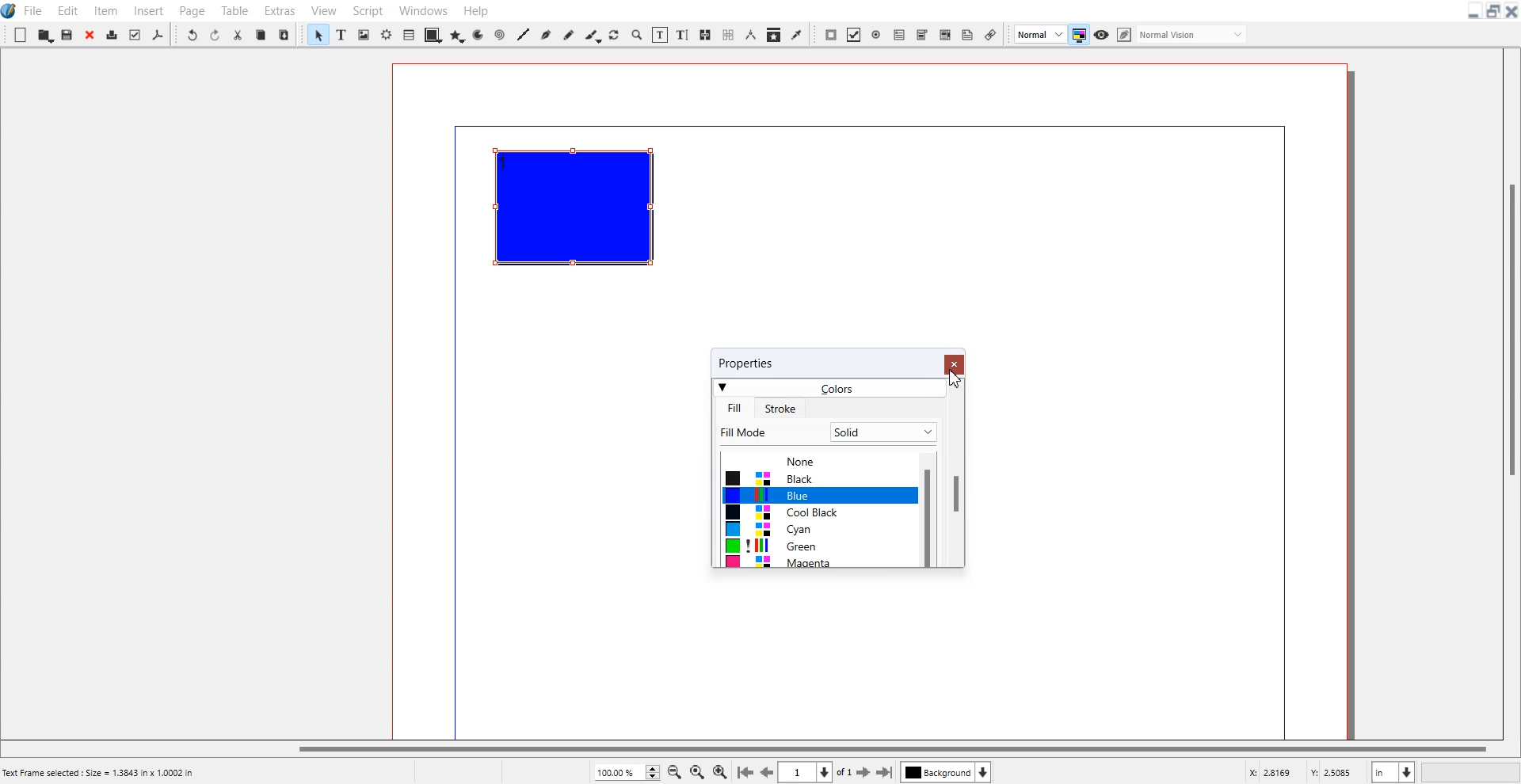 Image resolution: width=1521 pixels, height=784 pixels. I want to click on Edit contents of frame, so click(661, 35).